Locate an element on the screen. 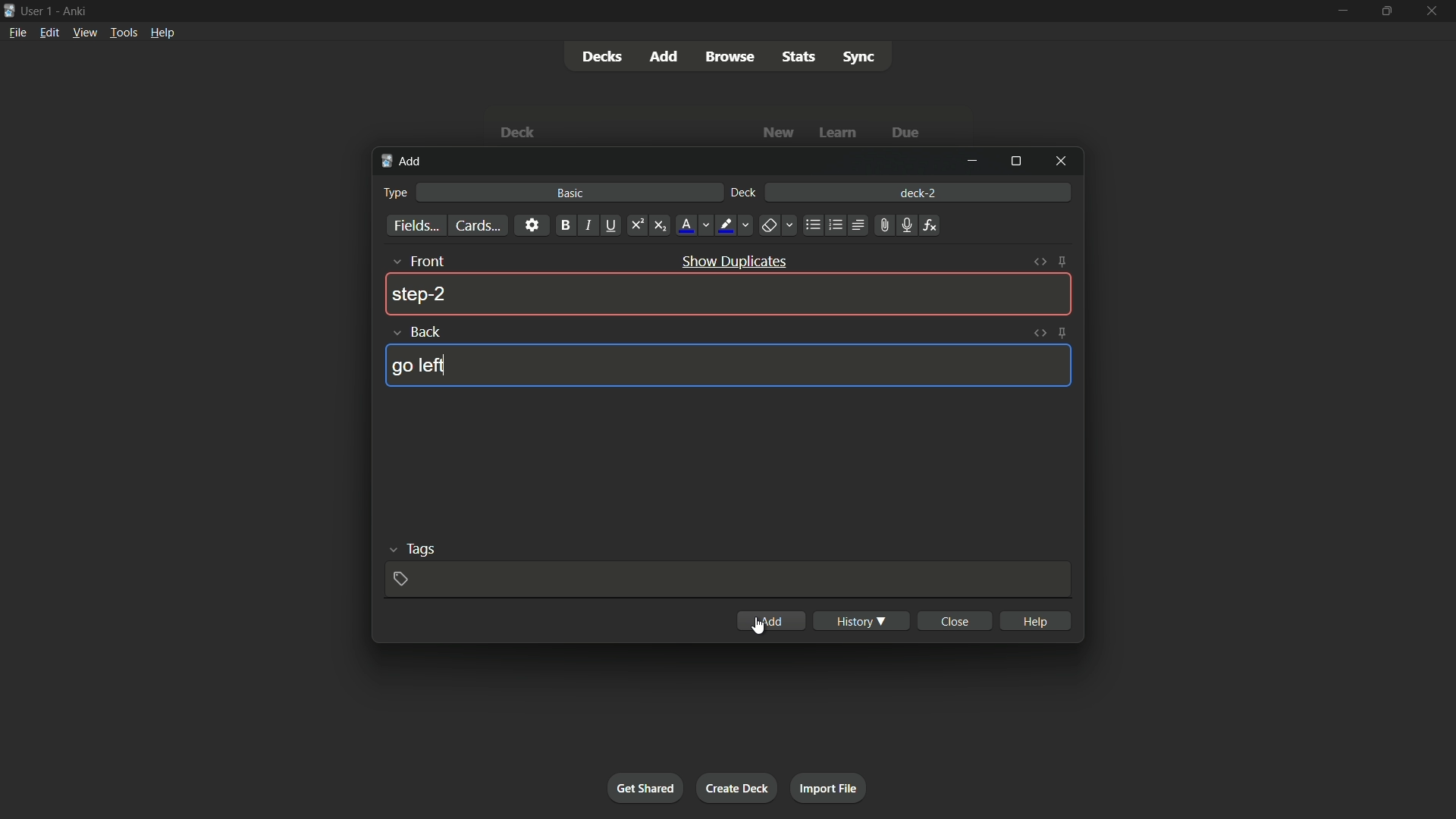 The height and width of the screenshot is (819, 1456). maximize is located at coordinates (1017, 160).